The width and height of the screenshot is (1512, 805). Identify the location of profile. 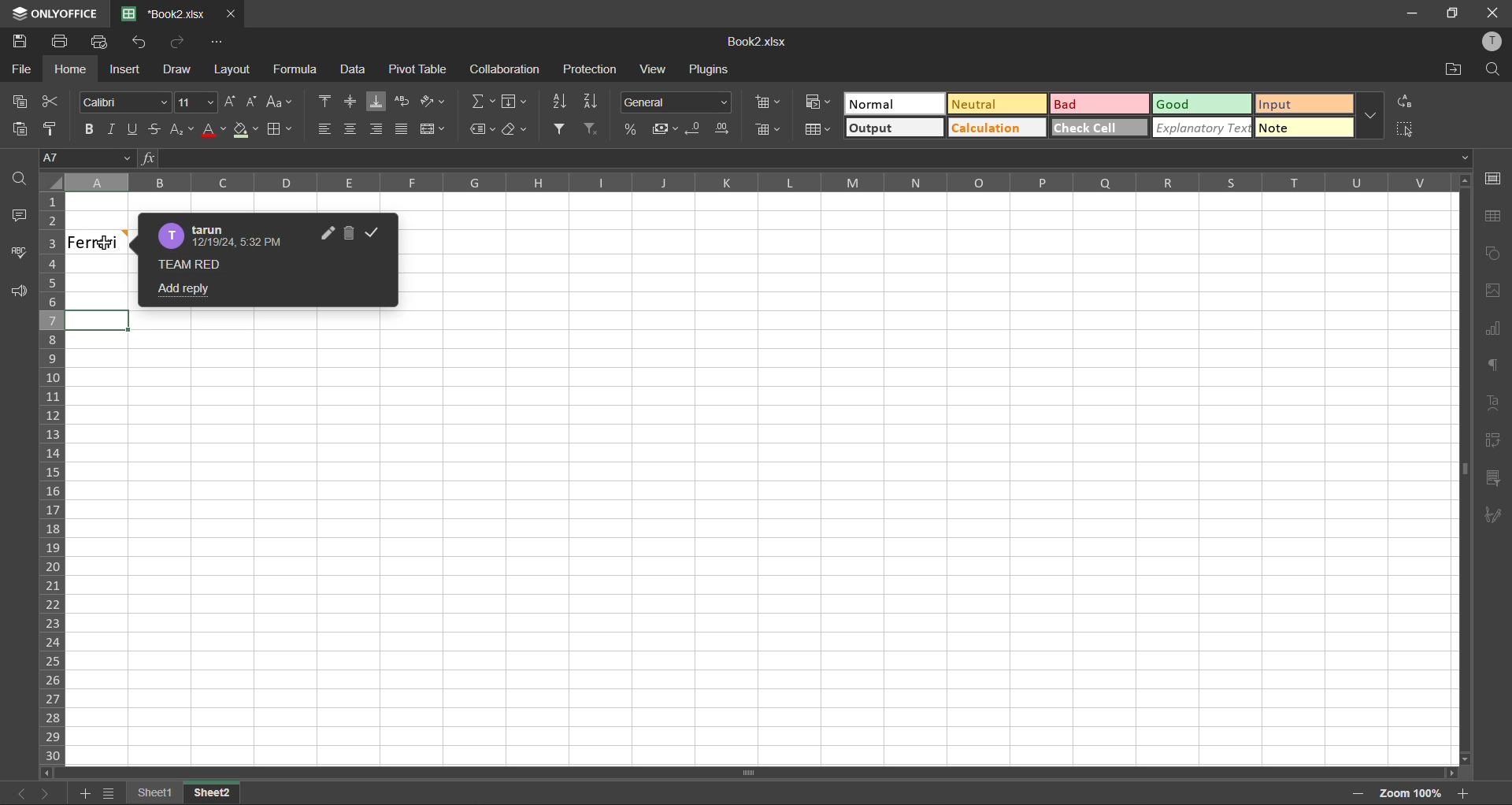
(1490, 40).